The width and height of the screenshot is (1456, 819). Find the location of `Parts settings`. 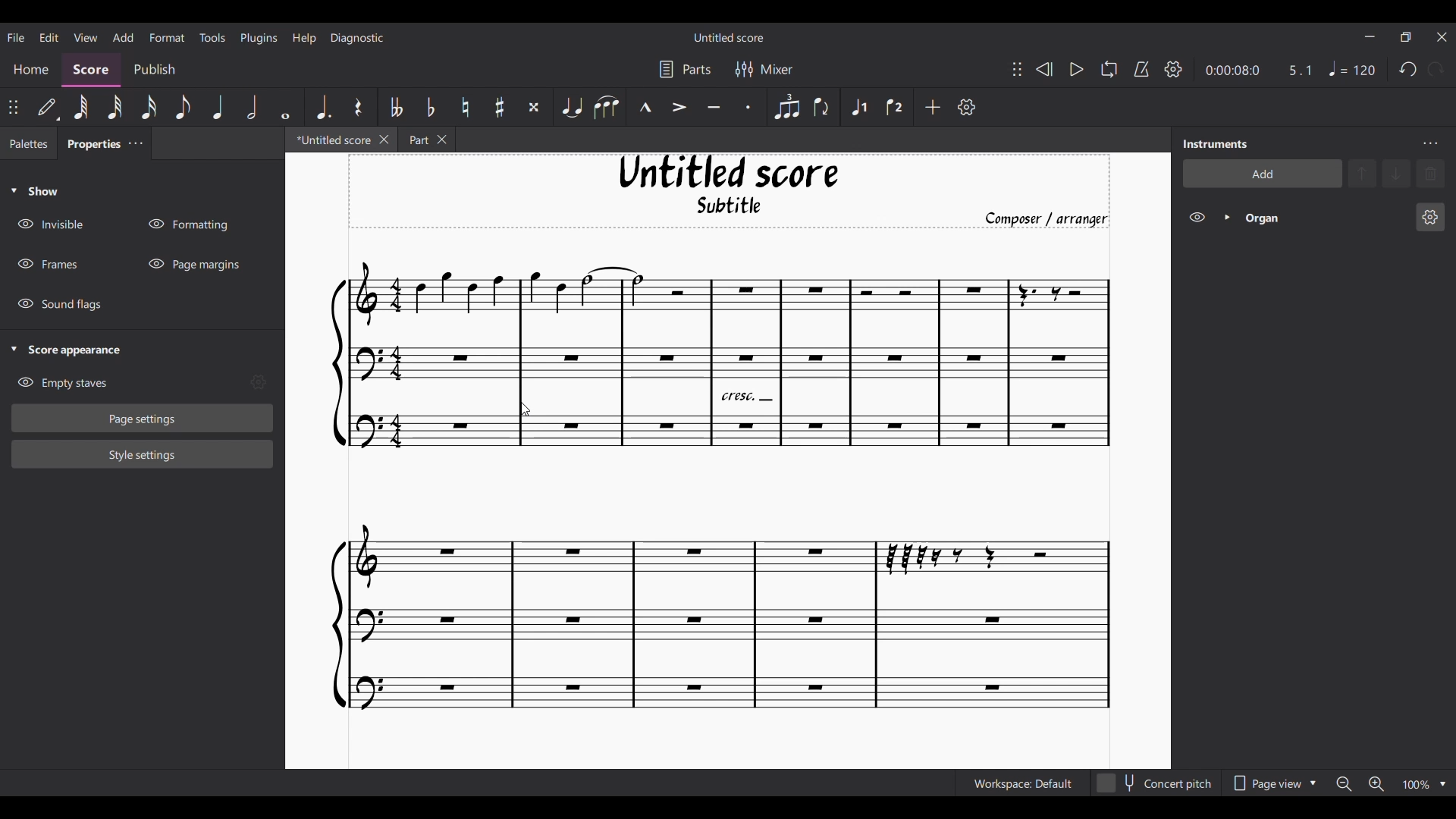

Parts settings is located at coordinates (686, 69).